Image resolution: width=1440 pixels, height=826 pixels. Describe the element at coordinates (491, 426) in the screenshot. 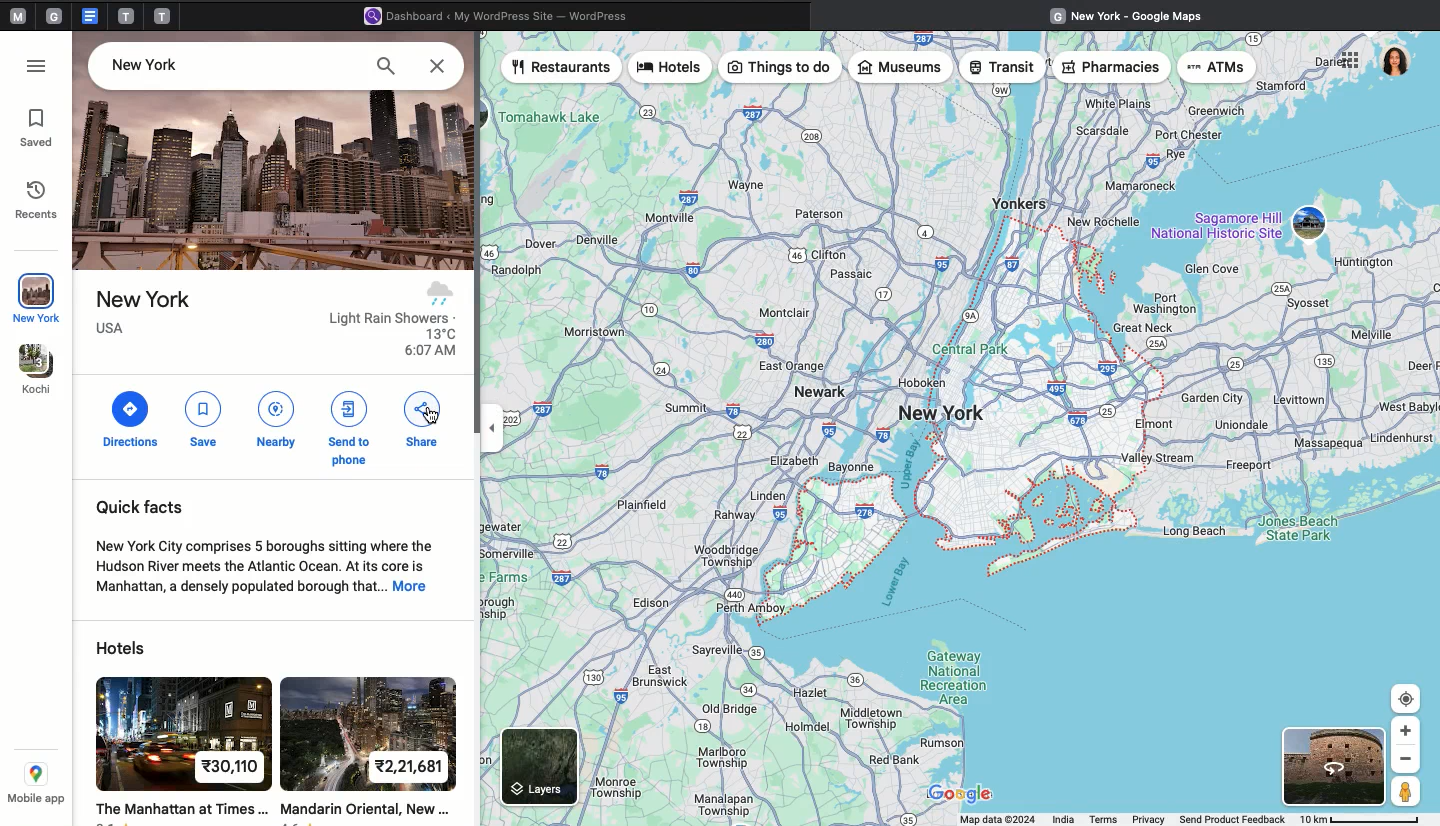

I see `toggle` at that location.